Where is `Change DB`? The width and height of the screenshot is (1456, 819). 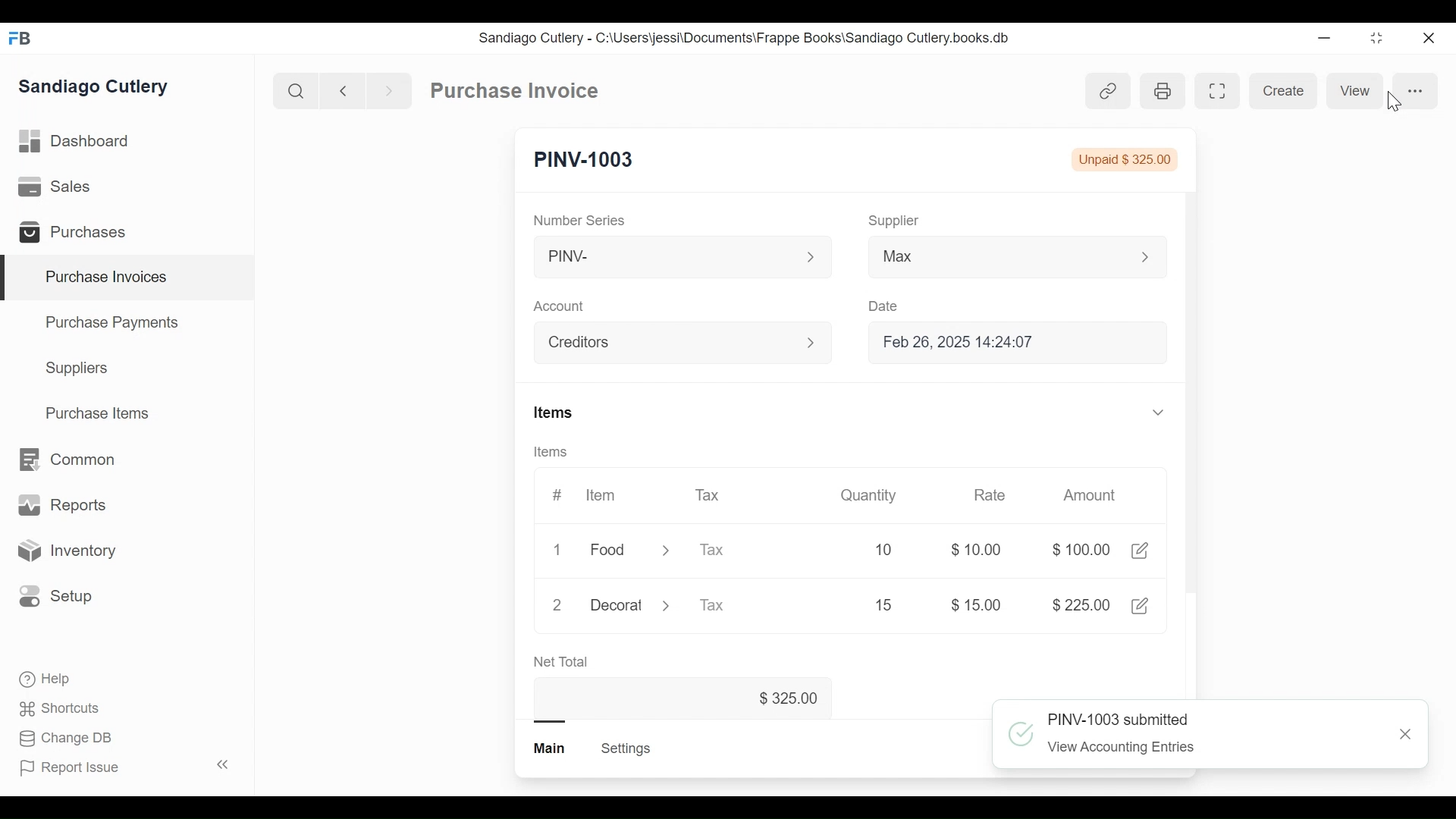
Change DB is located at coordinates (68, 739).